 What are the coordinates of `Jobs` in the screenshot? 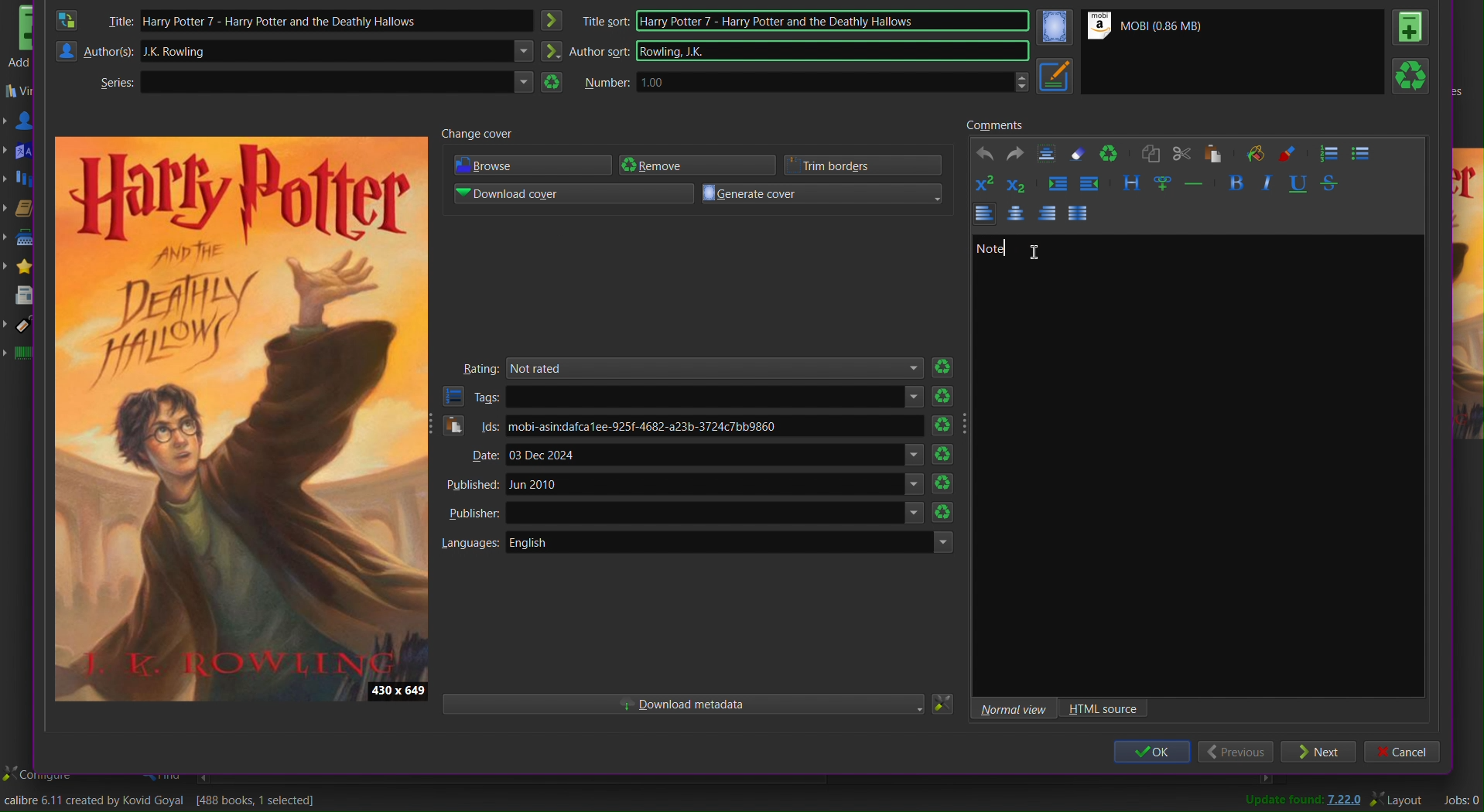 It's located at (1459, 800).